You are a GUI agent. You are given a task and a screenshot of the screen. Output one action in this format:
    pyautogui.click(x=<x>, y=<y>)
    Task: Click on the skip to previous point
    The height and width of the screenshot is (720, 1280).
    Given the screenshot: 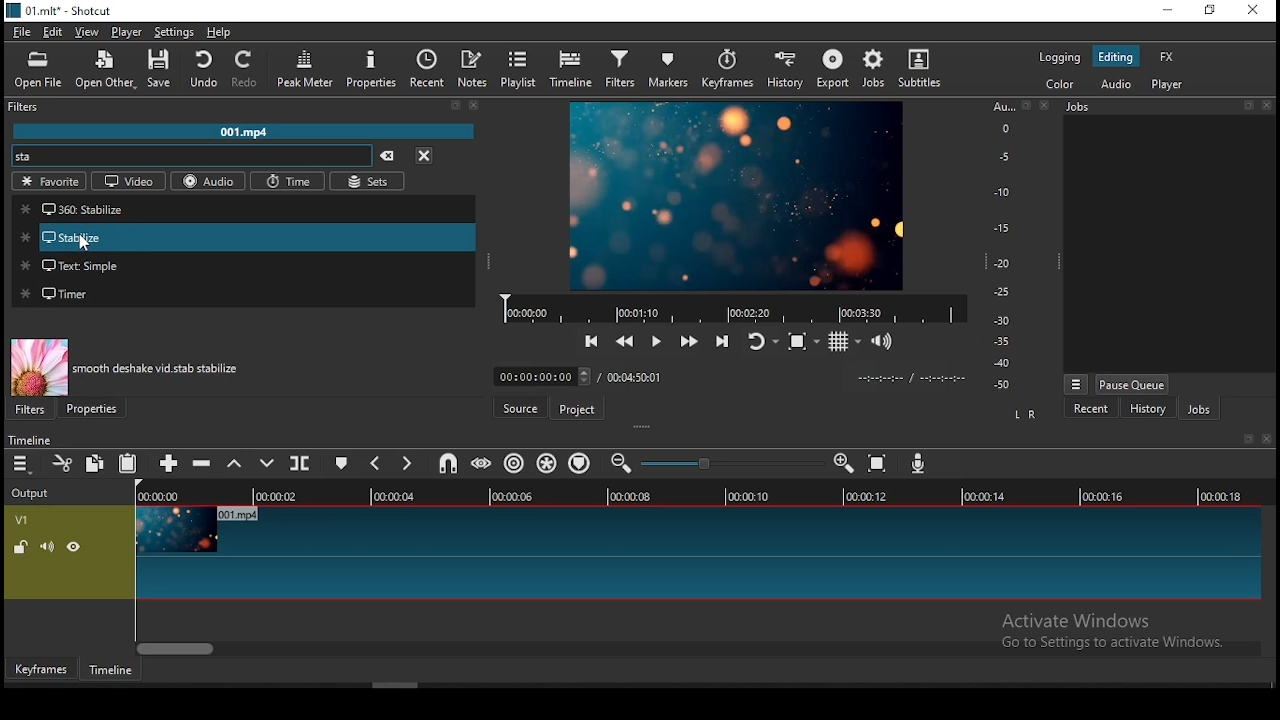 What is the action you would take?
    pyautogui.click(x=592, y=343)
    